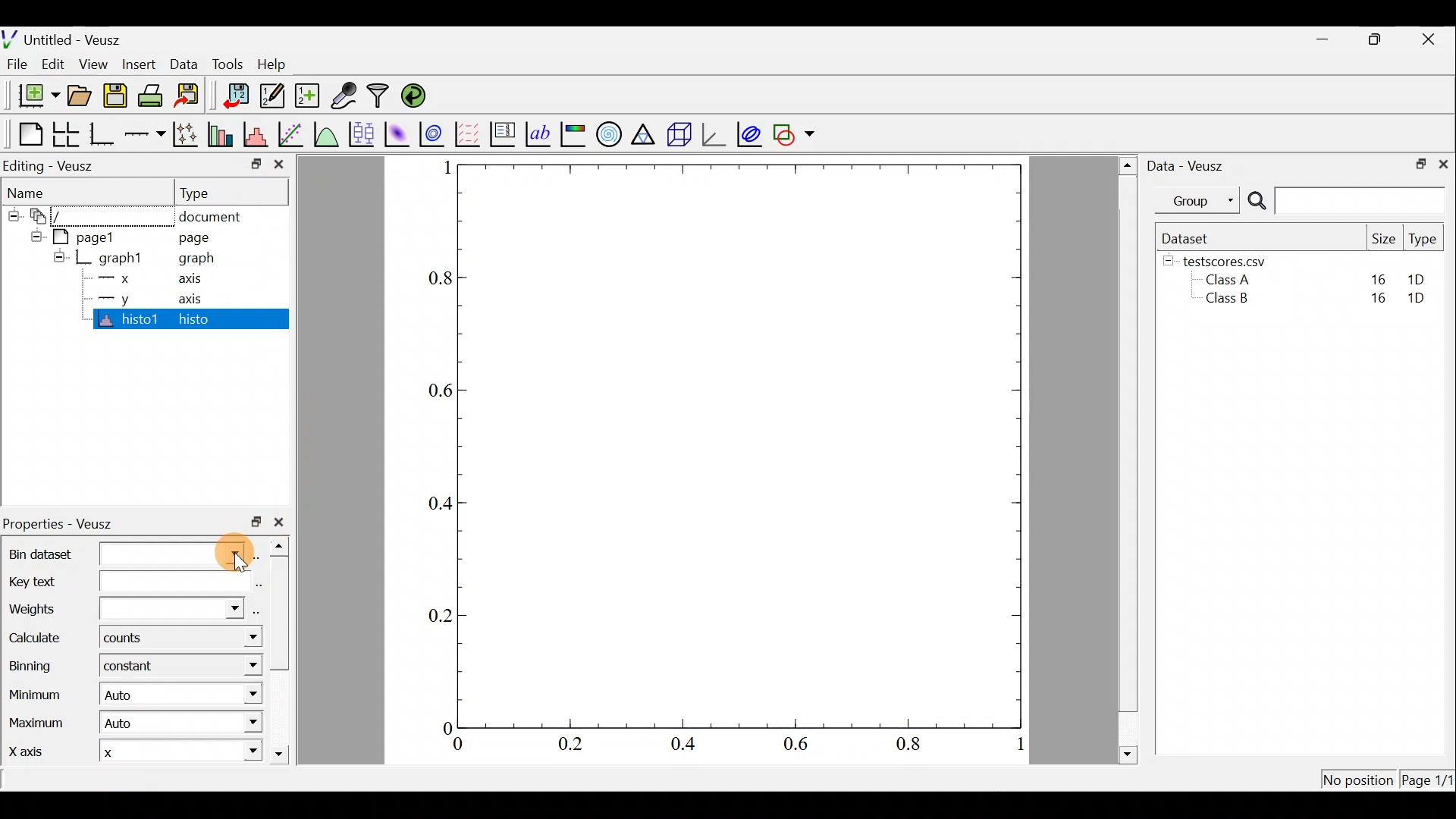  What do you see at coordinates (115, 93) in the screenshot?
I see `Save the document` at bounding box center [115, 93].